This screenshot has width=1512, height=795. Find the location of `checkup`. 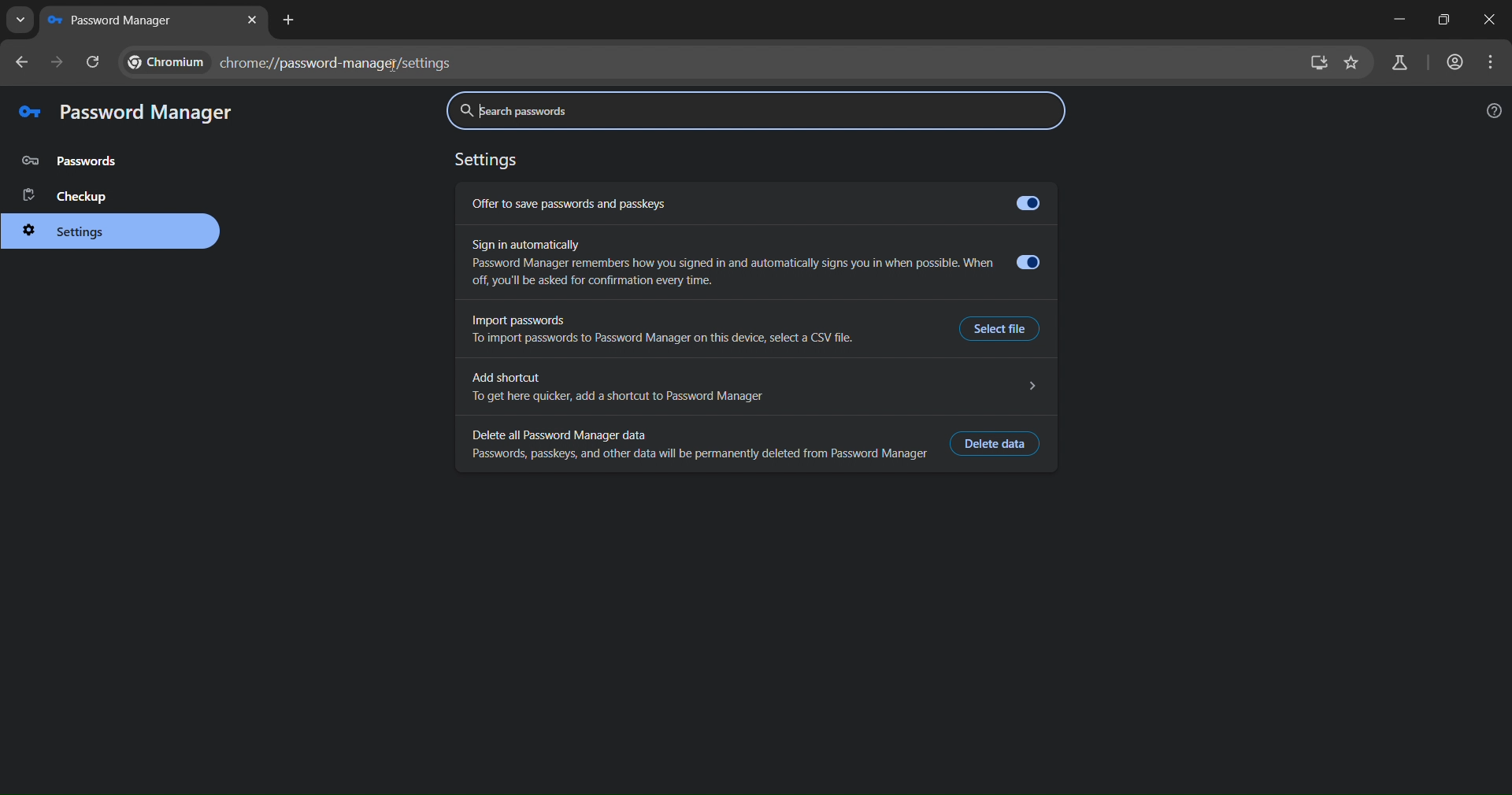

checkup is located at coordinates (67, 198).